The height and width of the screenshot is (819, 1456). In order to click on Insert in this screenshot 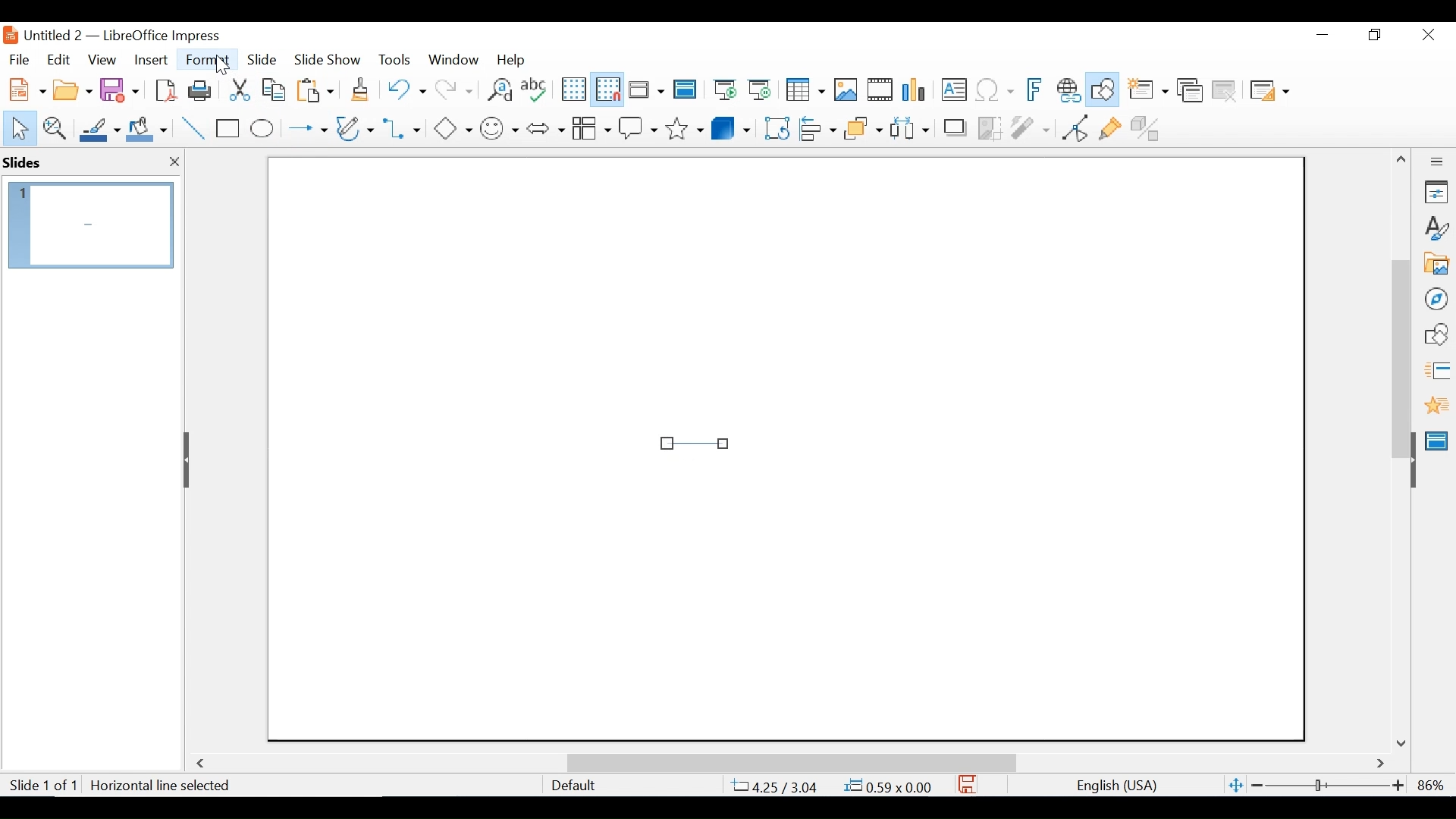, I will do `click(149, 60)`.